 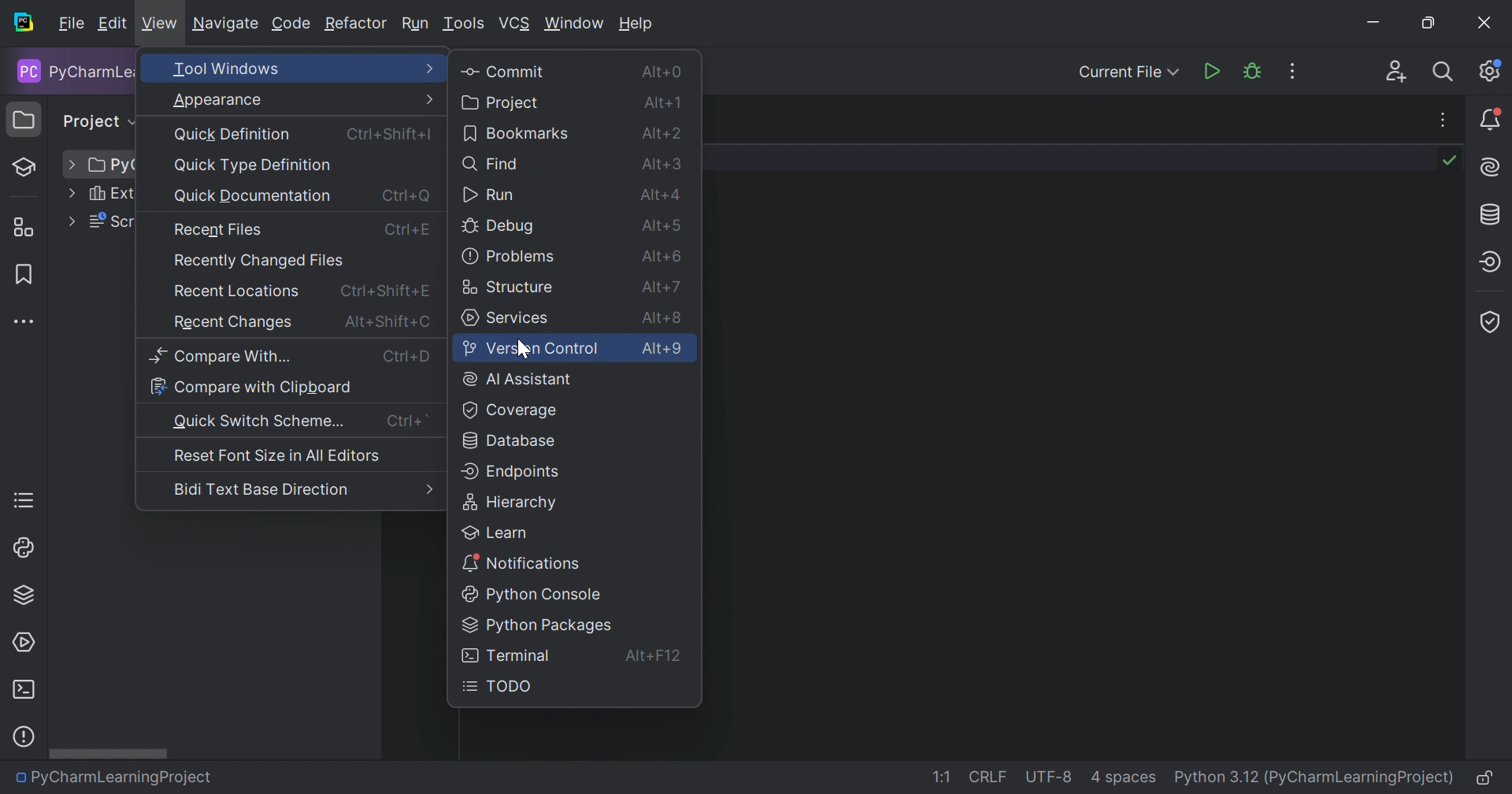 I want to click on Py, so click(x=111, y=165).